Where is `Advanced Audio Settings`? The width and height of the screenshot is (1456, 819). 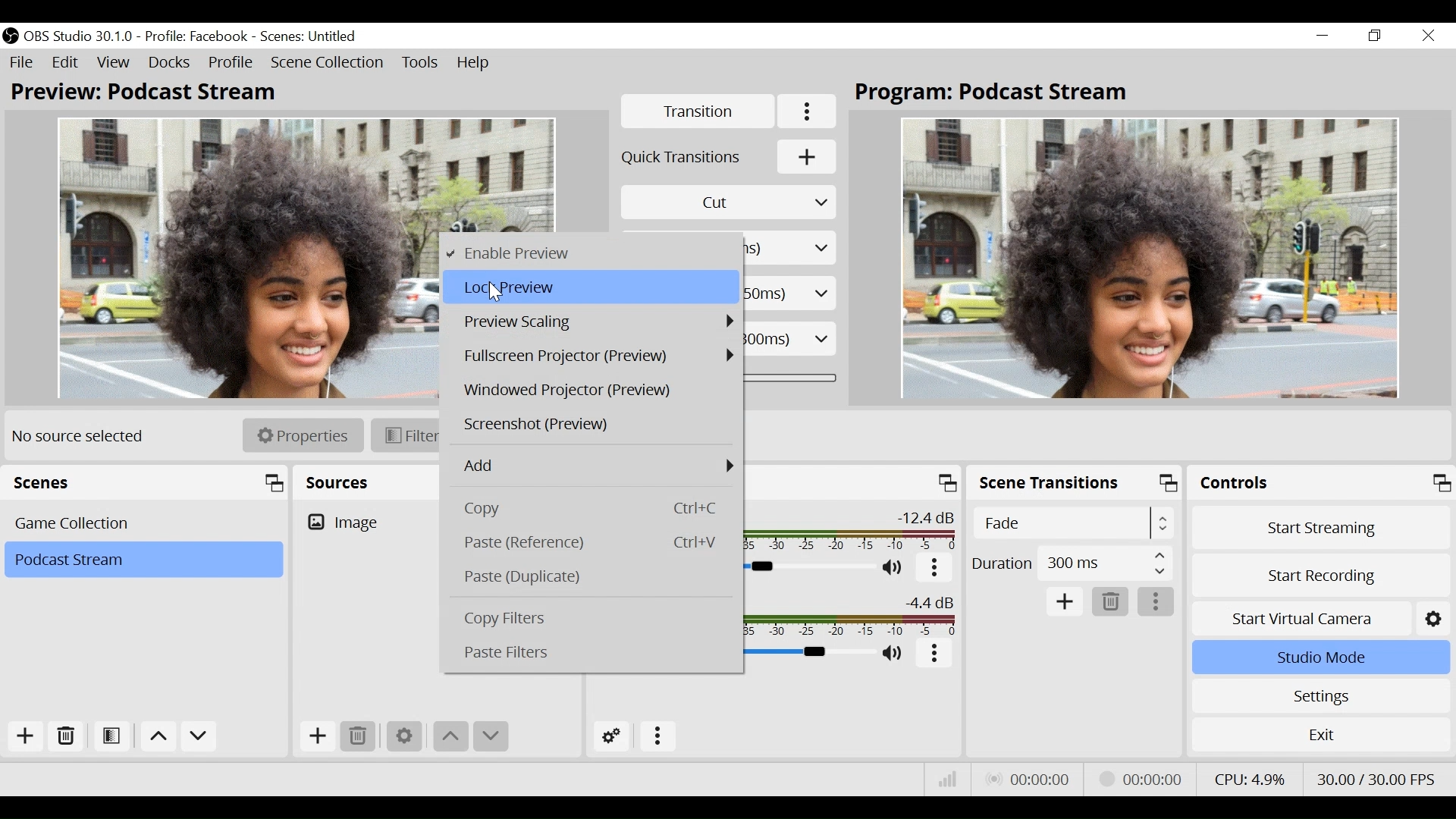 Advanced Audio Settings is located at coordinates (611, 736).